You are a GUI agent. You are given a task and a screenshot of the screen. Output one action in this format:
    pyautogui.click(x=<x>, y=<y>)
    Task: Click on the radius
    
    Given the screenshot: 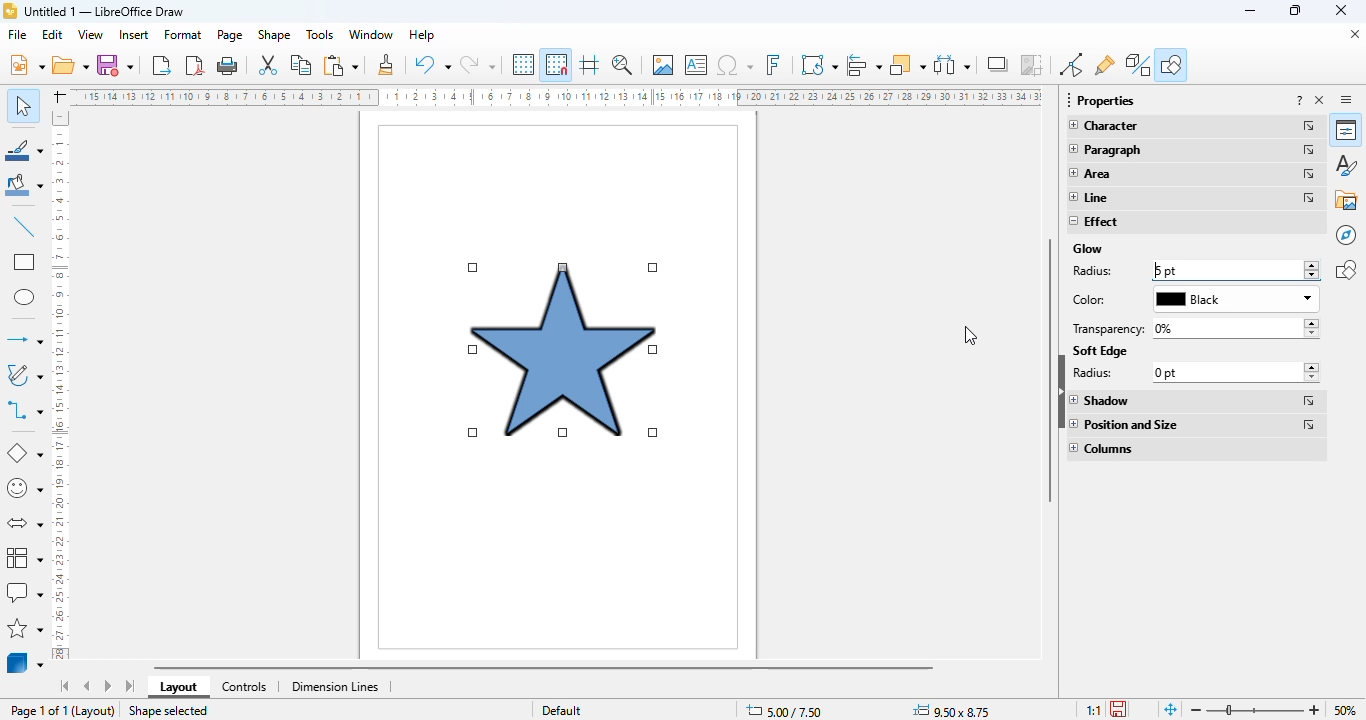 What is the action you would take?
    pyautogui.click(x=1106, y=375)
    